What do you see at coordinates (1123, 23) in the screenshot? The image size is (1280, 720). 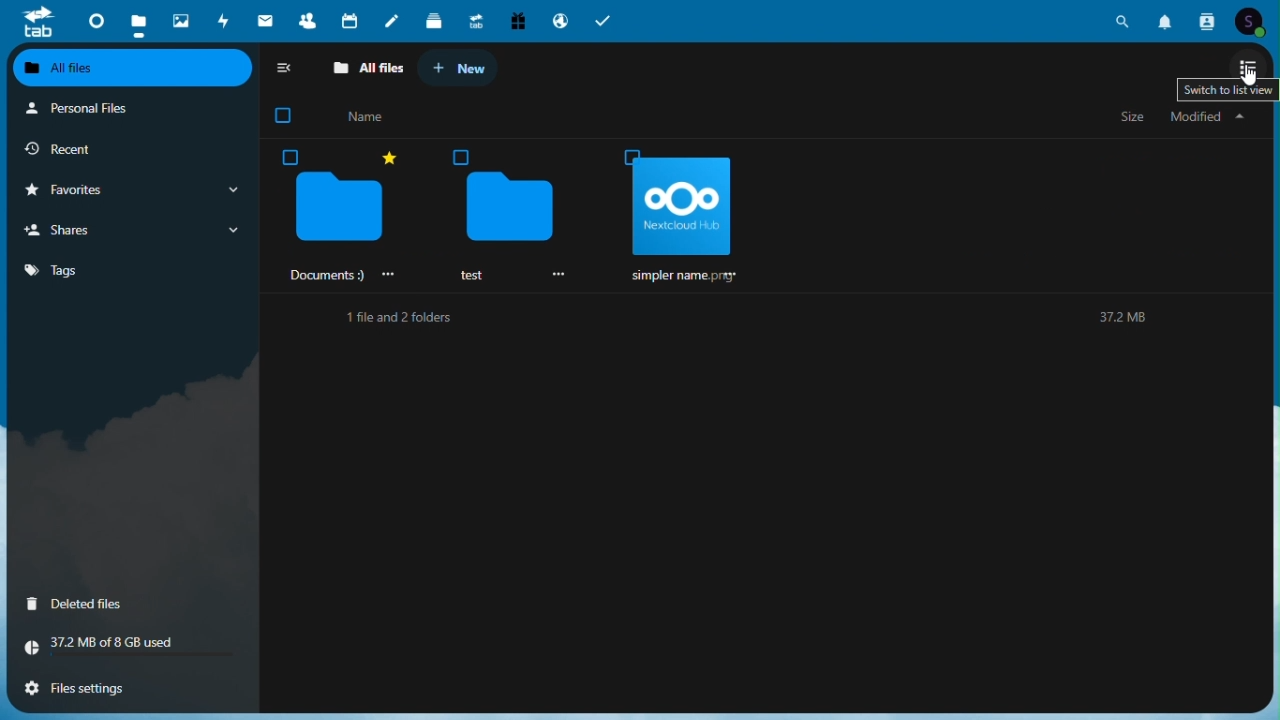 I see `search` at bounding box center [1123, 23].